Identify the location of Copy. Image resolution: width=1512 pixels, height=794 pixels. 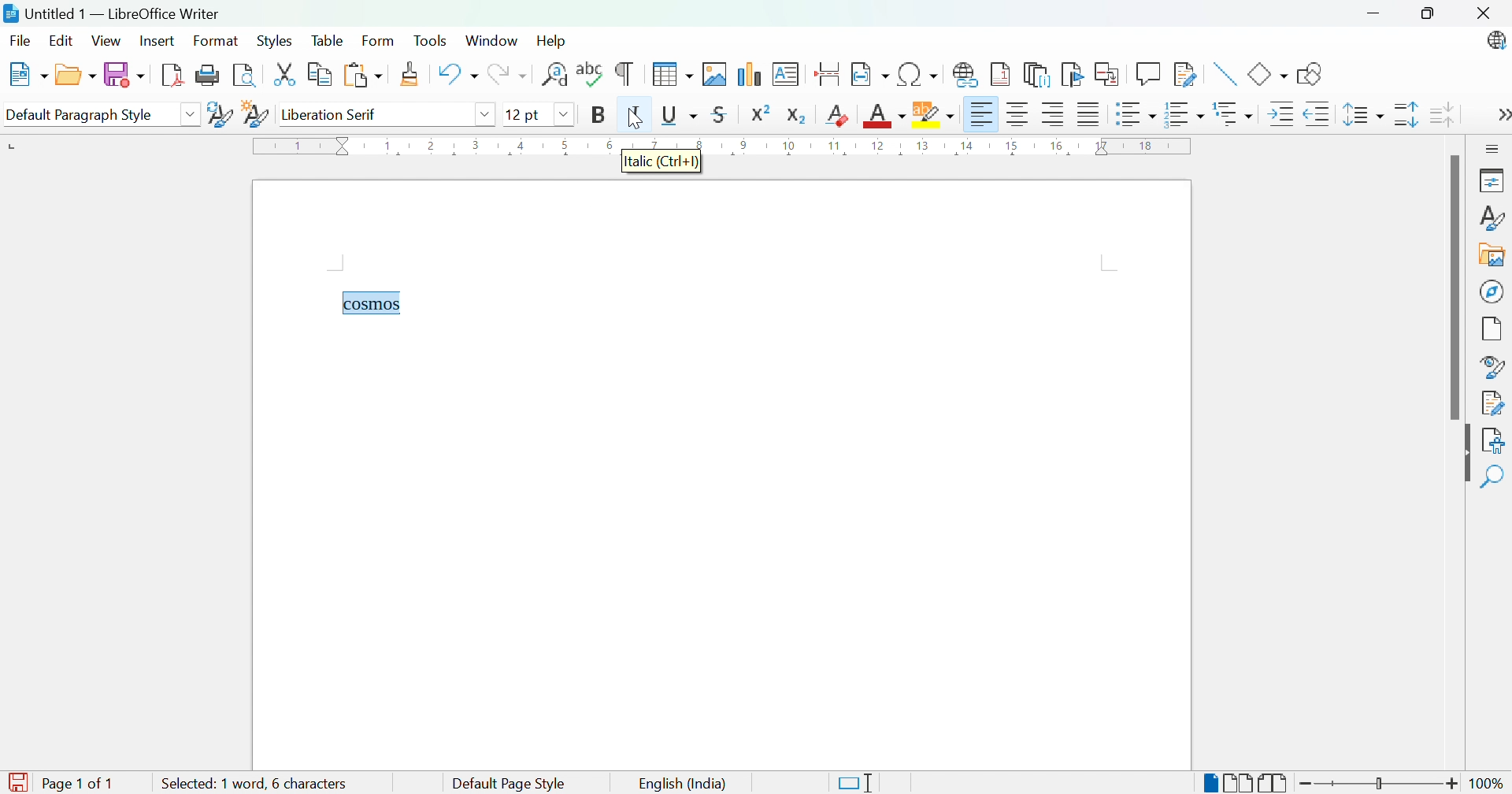
(324, 75).